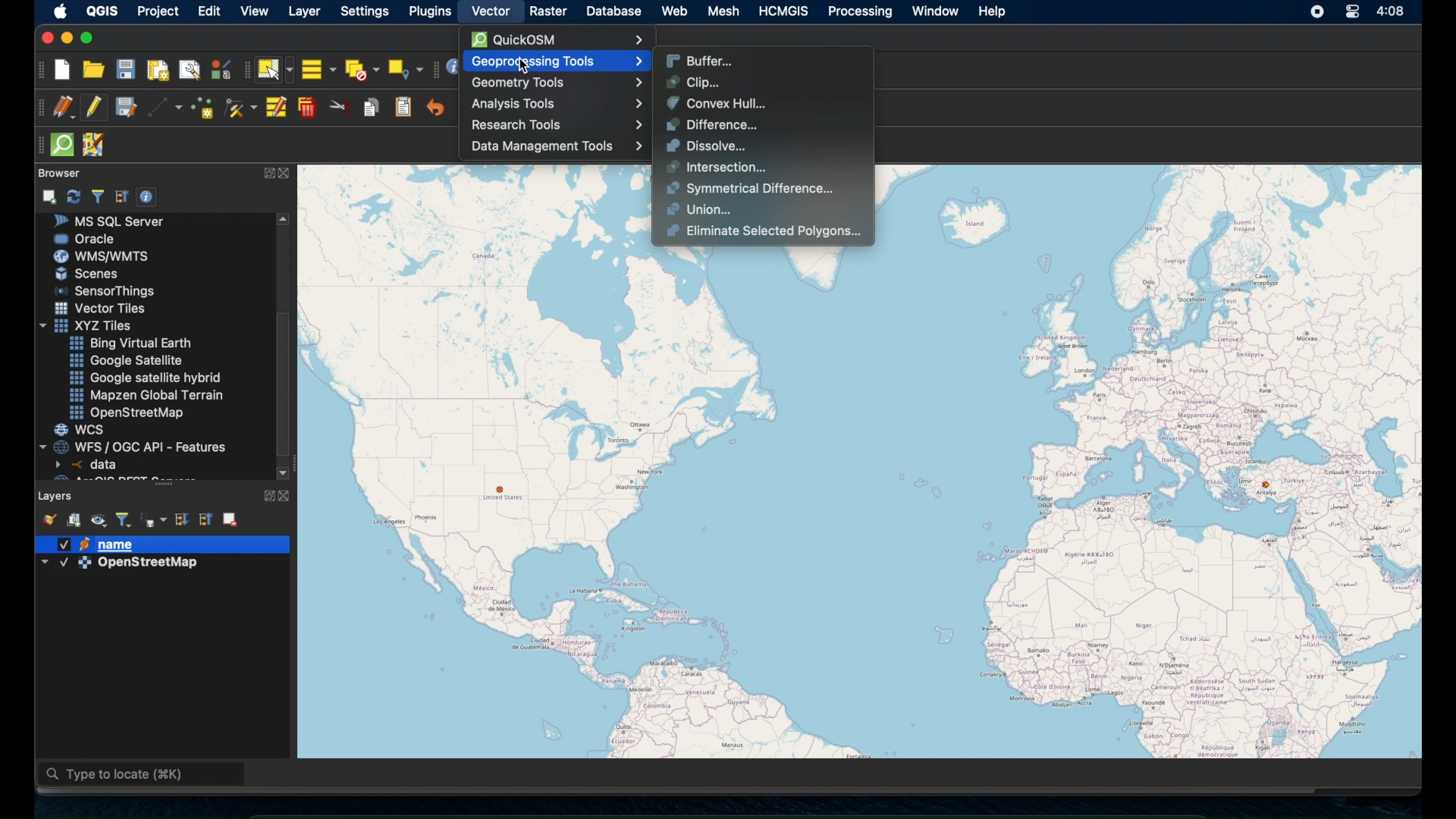 The width and height of the screenshot is (1456, 819). What do you see at coordinates (94, 71) in the screenshot?
I see `open project` at bounding box center [94, 71].